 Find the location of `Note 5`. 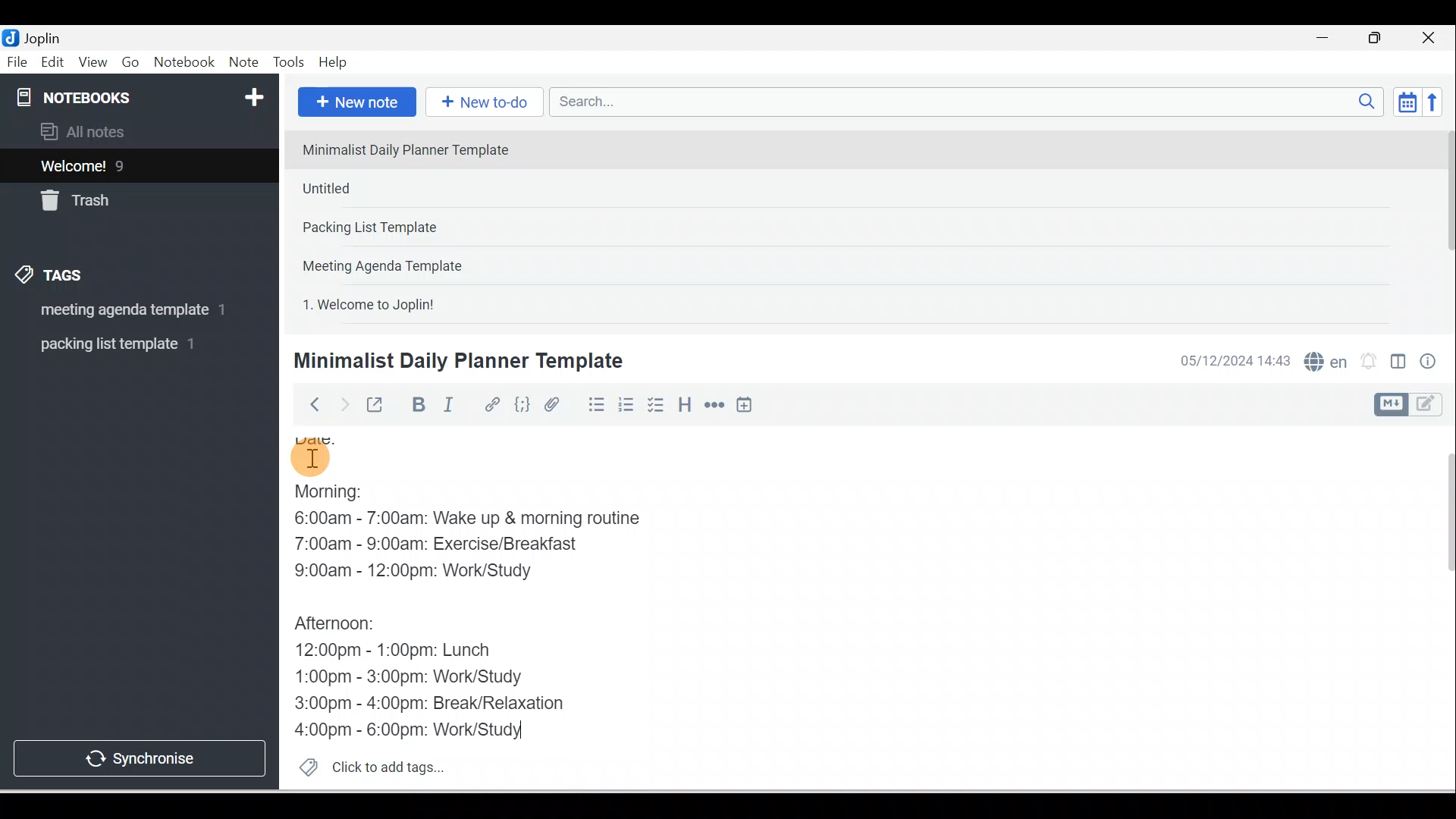

Note 5 is located at coordinates (424, 303).